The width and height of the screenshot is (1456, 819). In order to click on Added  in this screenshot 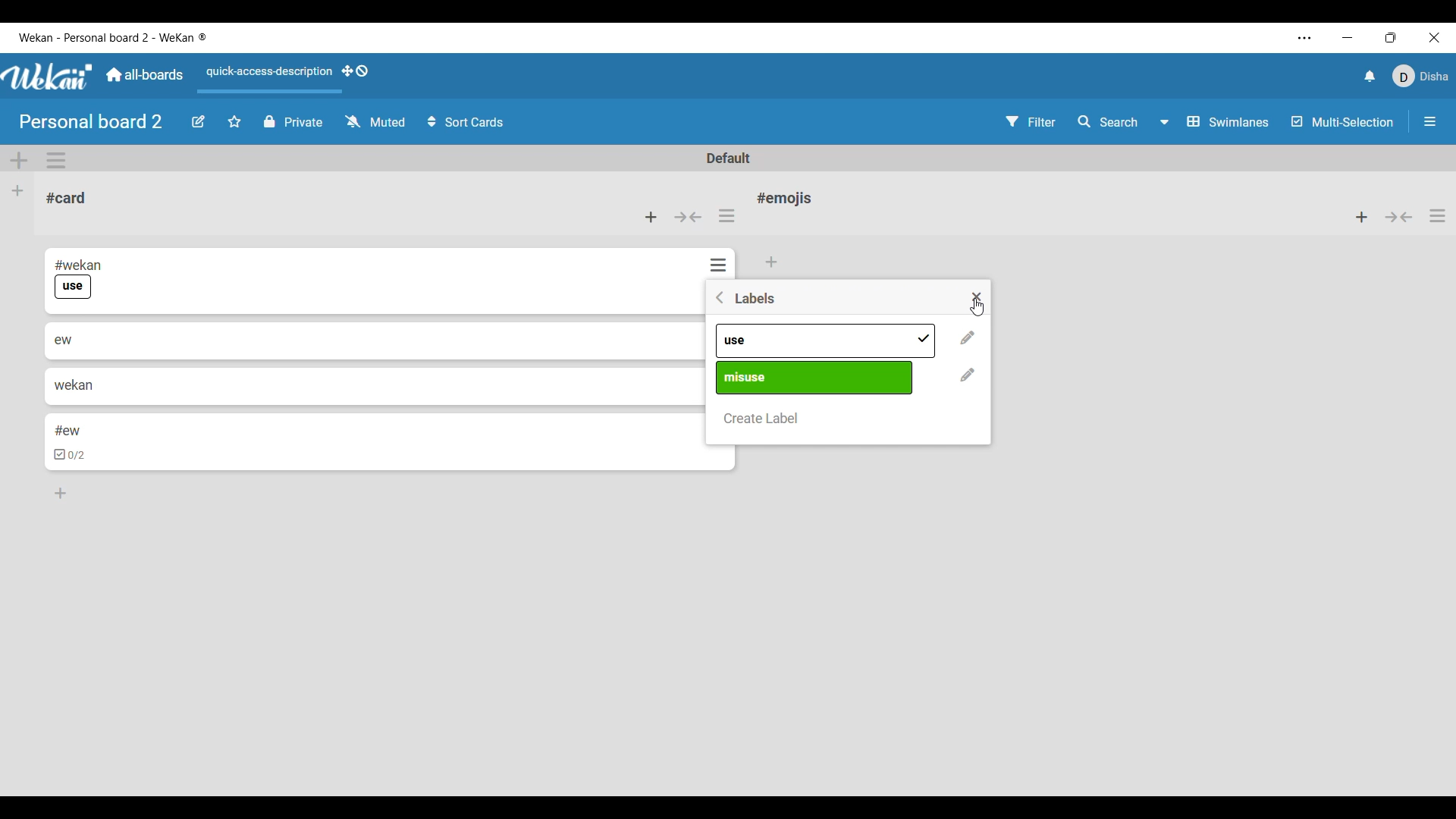, I will do `click(927, 339)`.